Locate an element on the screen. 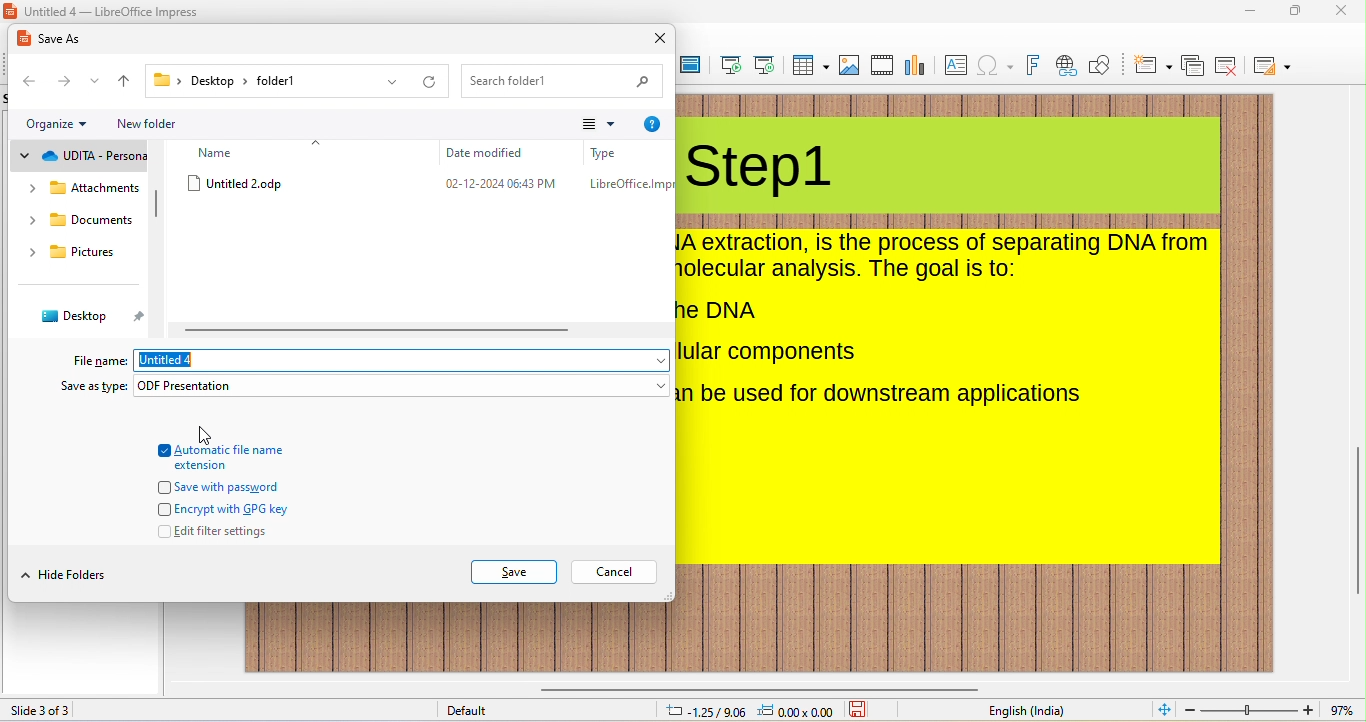 The image size is (1366, 722). hide folder is located at coordinates (78, 576).